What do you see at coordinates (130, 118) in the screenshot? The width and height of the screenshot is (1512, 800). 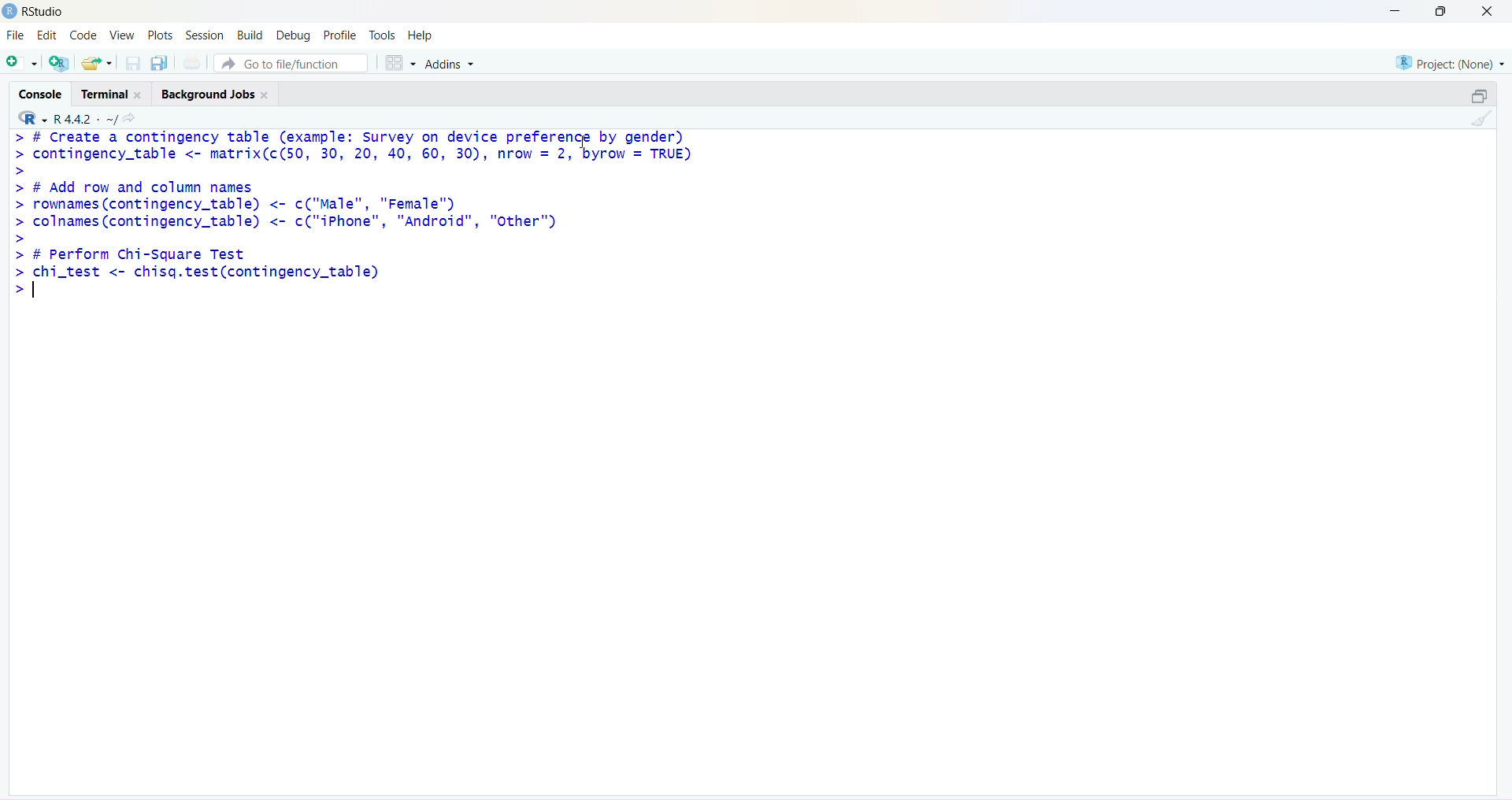 I see `share icon` at bounding box center [130, 118].